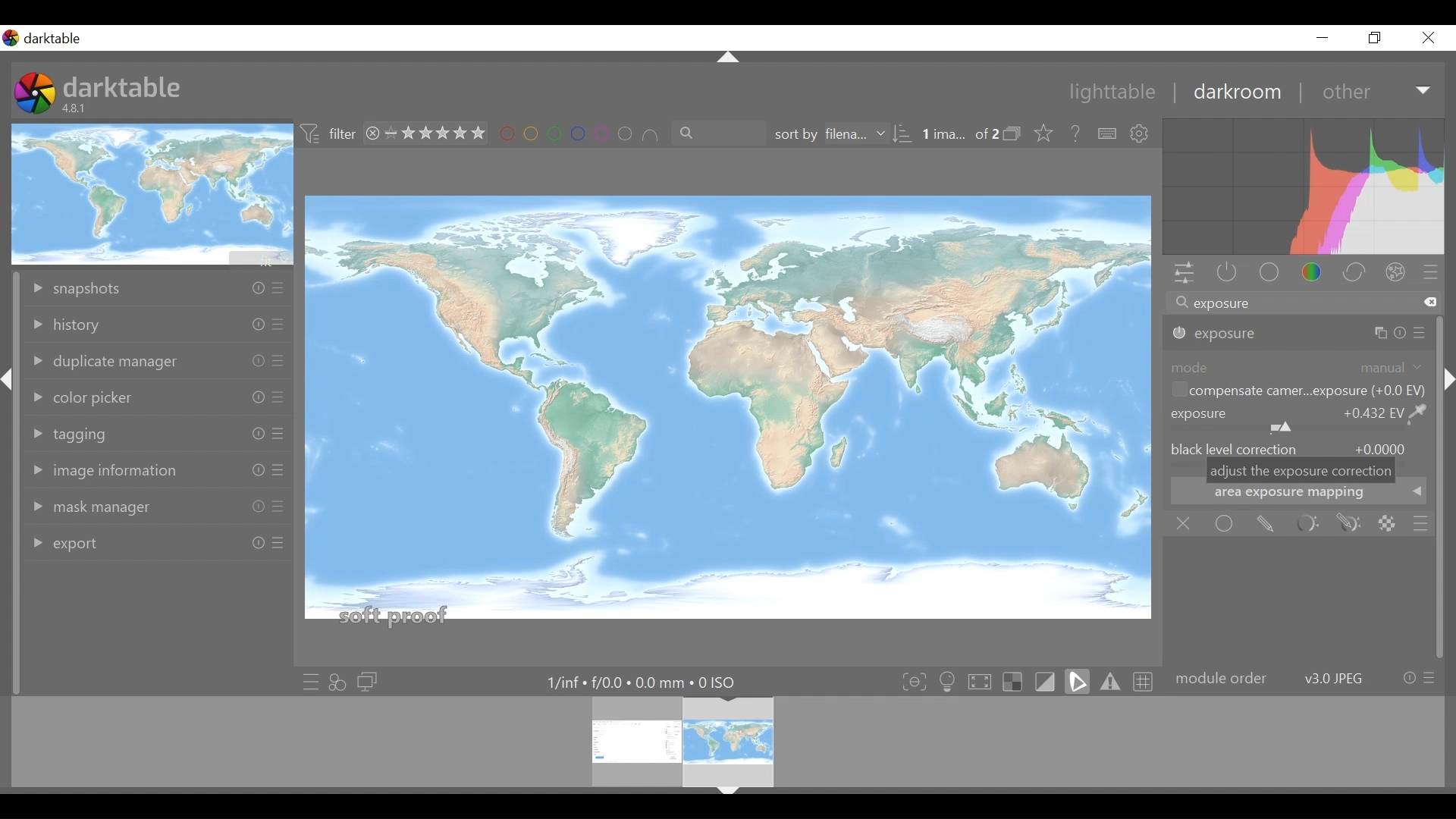  What do you see at coordinates (1357, 274) in the screenshot?
I see `correct` at bounding box center [1357, 274].